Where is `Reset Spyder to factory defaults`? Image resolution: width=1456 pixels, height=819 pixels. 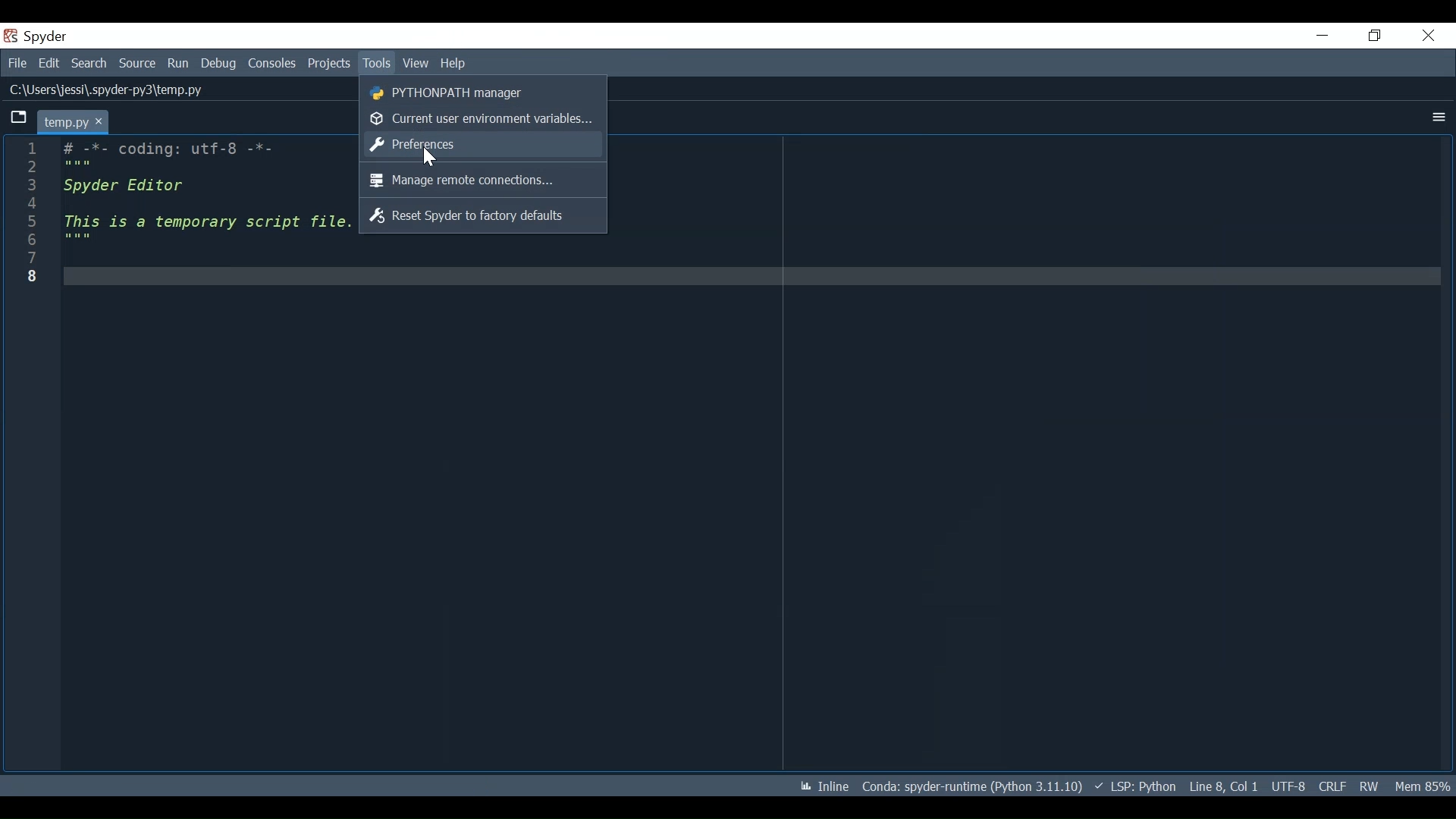 Reset Spyder to factory defaults is located at coordinates (483, 216).